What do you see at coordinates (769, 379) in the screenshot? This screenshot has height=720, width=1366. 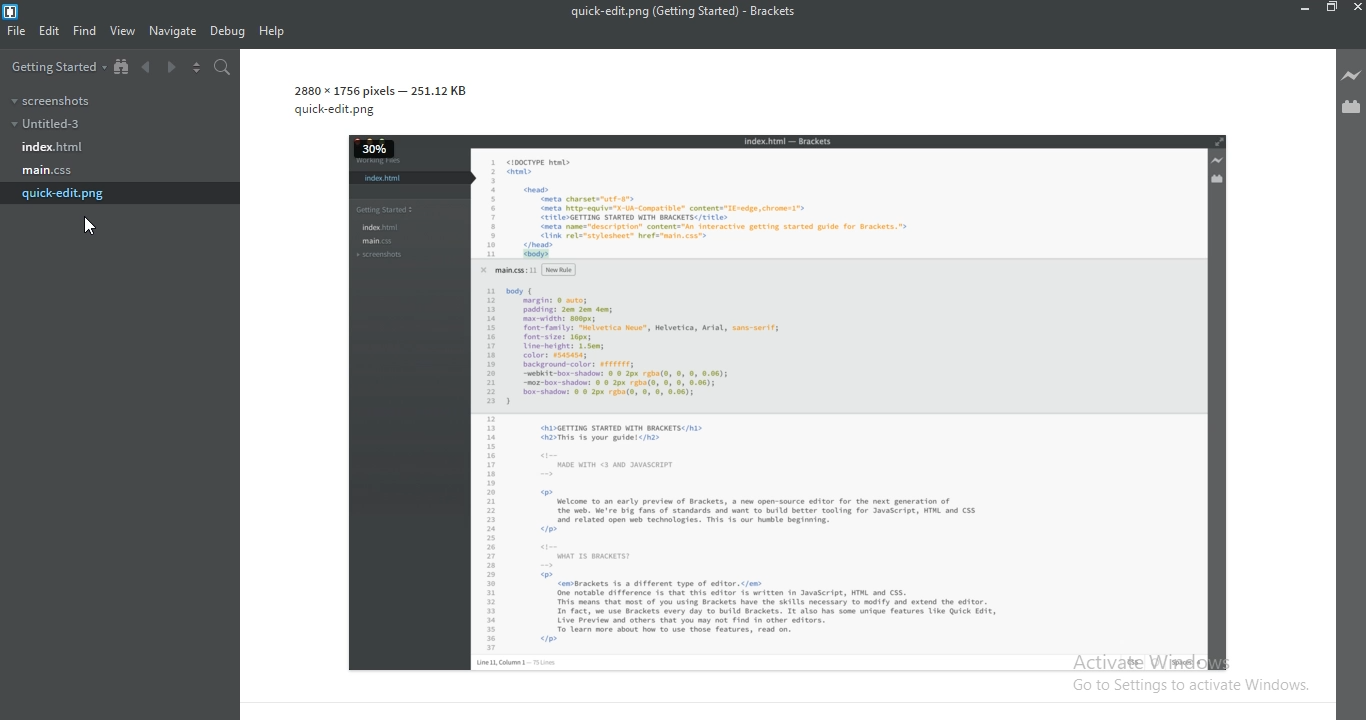 I see `quick-edit.png image` at bounding box center [769, 379].